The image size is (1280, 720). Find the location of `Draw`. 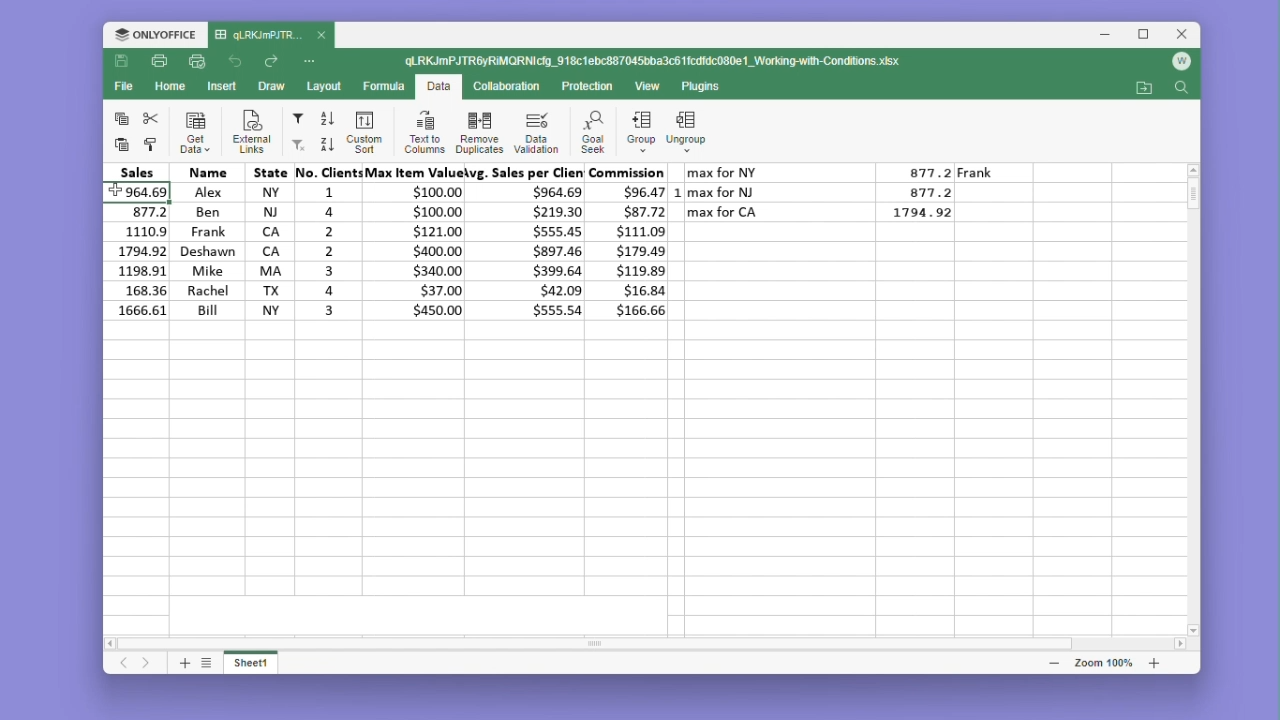

Draw is located at coordinates (270, 87).